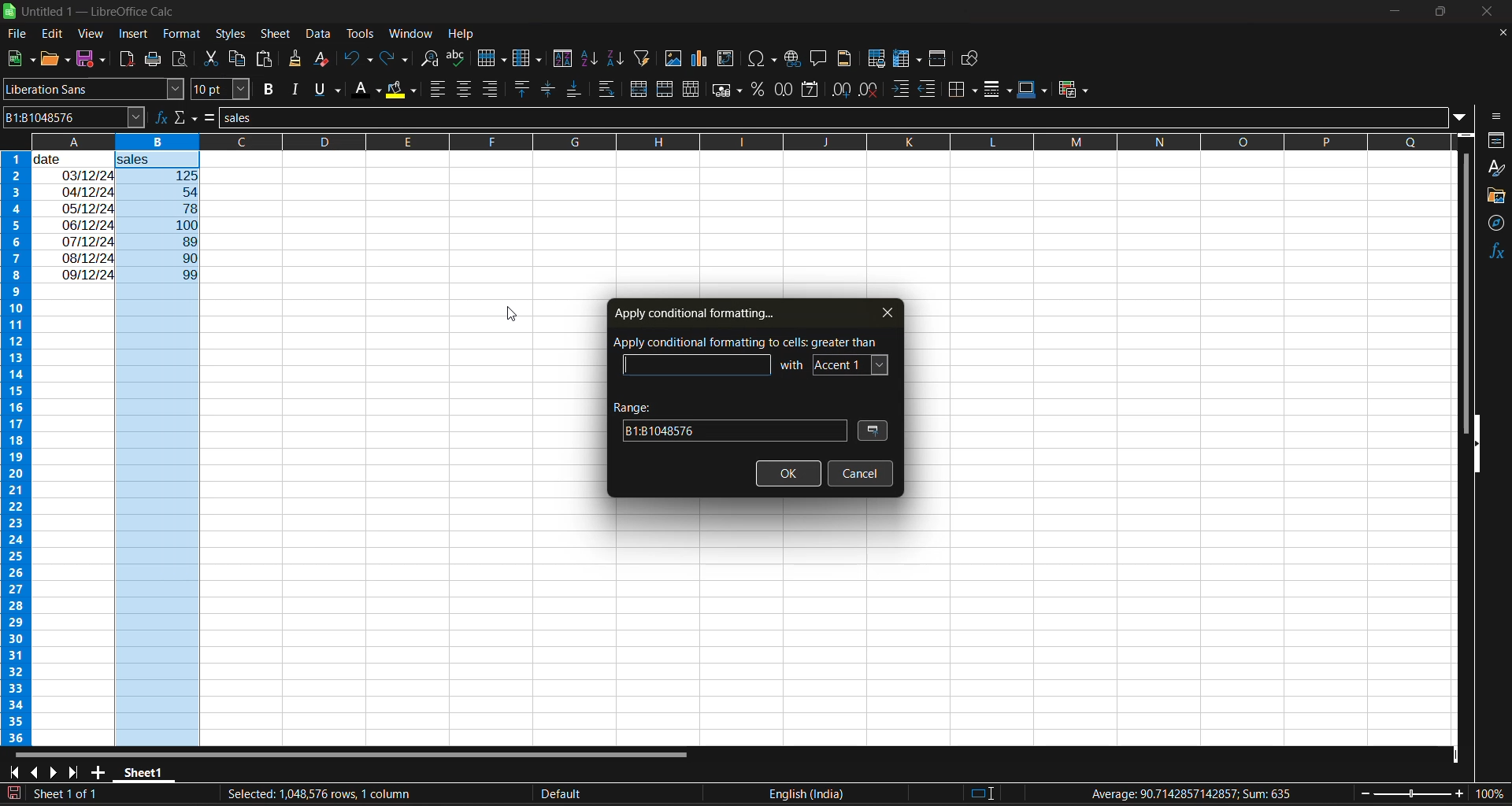 Image resolution: width=1512 pixels, height=806 pixels. I want to click on font, so click(851, 363).